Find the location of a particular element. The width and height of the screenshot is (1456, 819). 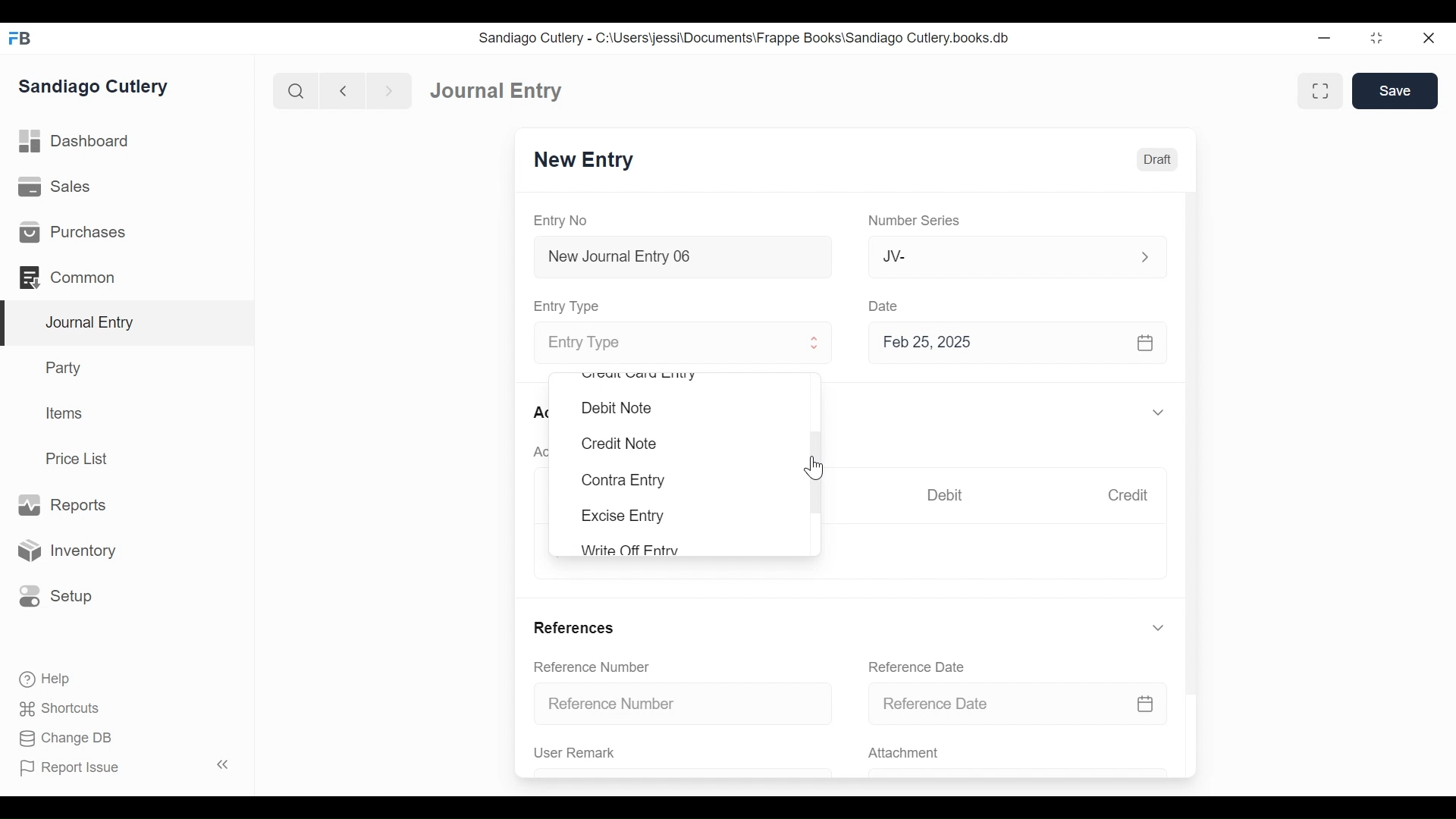

Expand is located at coordinates (815, 343).